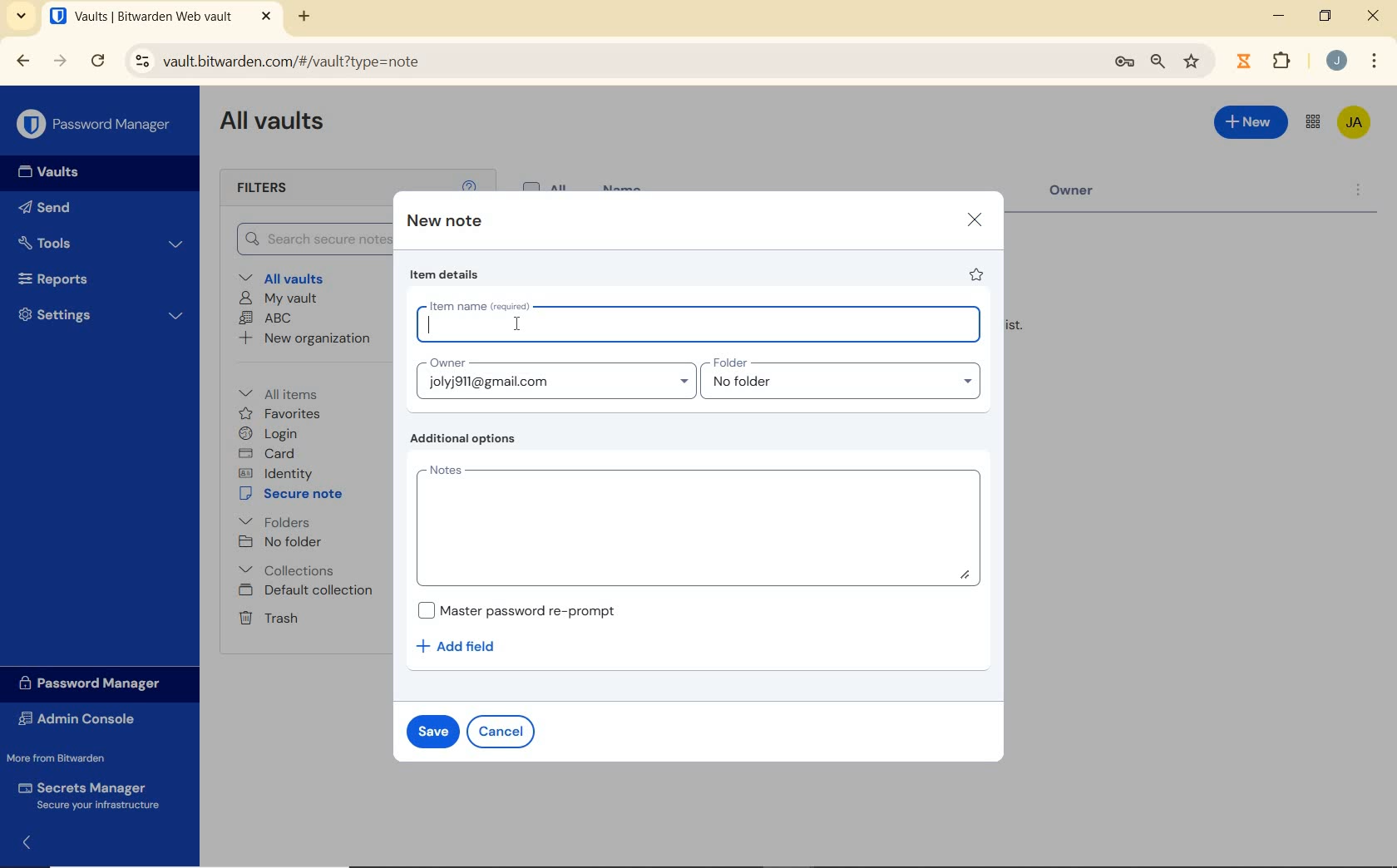 Image resolution: width=1397 pixels, height=868 pixels. Describe the element at coordinates (93, 795) in the screenshot. I see `Secrets Manager` at that location.